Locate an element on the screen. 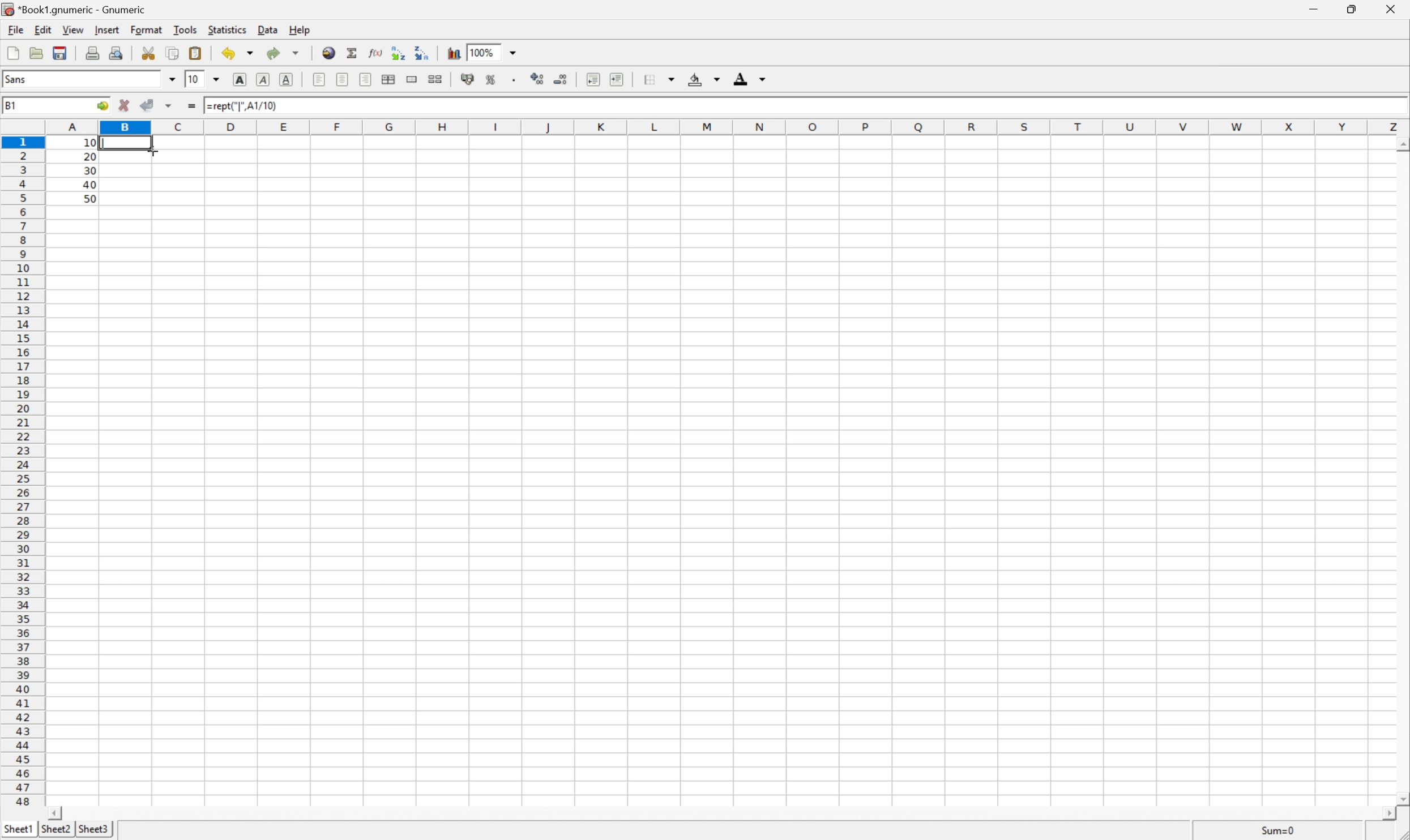  Center horizontally across selection is located at coordinates (389, 80).